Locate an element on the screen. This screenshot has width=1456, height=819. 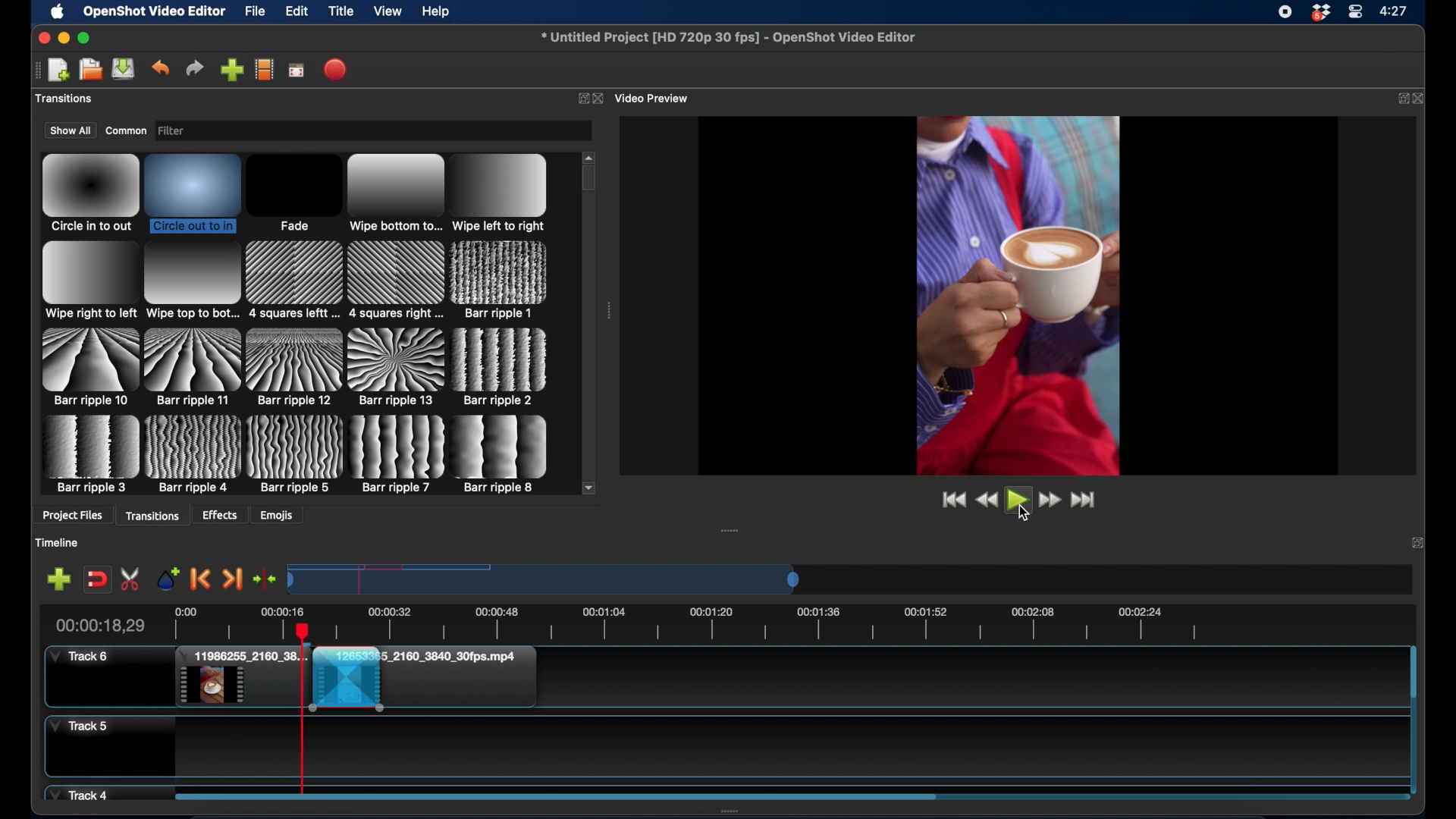
drag handle is located at coordinates (36, 69).